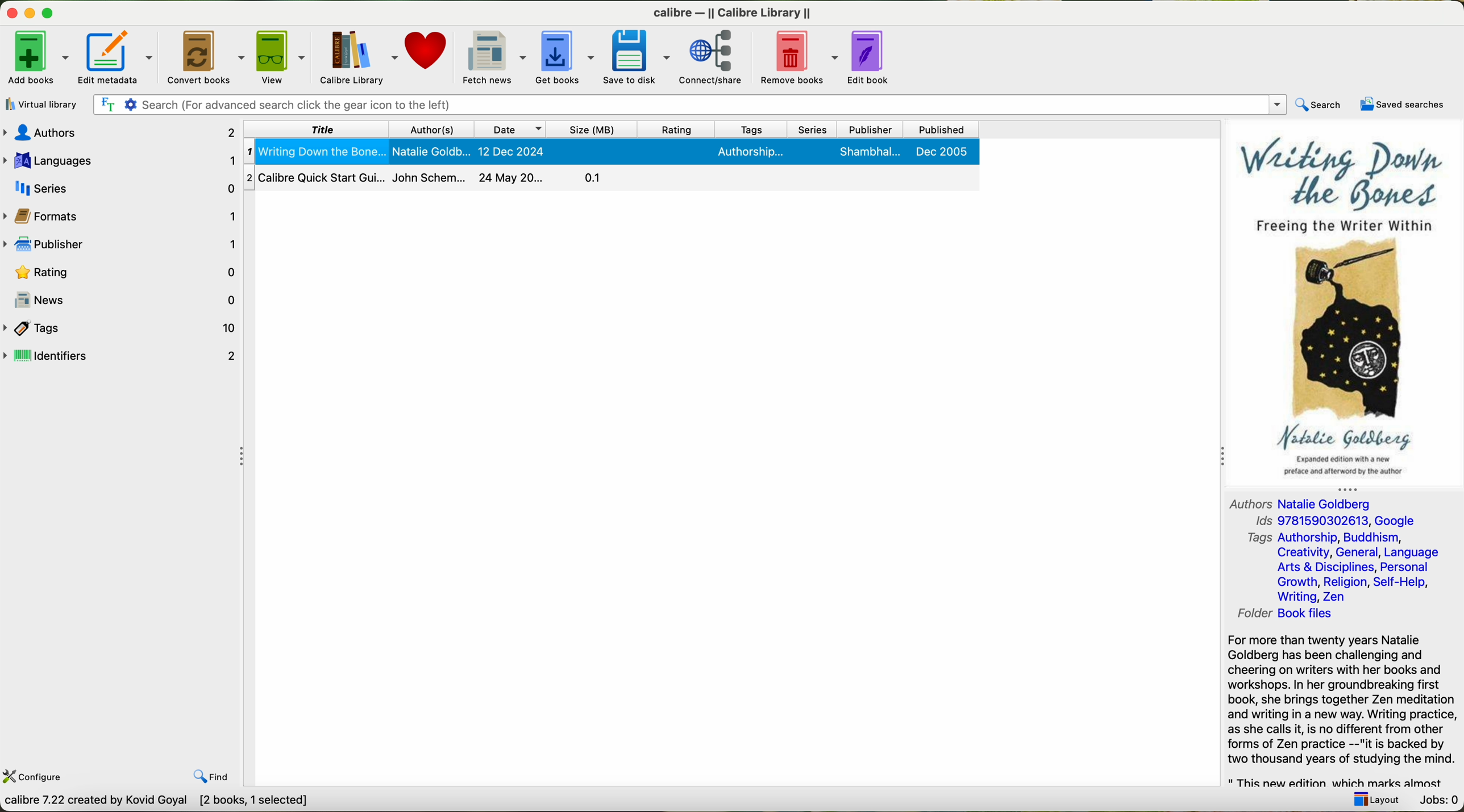  What do you see at coordinates (57, 217) in the screenshot?
I see `format` at bounding box center [57, 217].